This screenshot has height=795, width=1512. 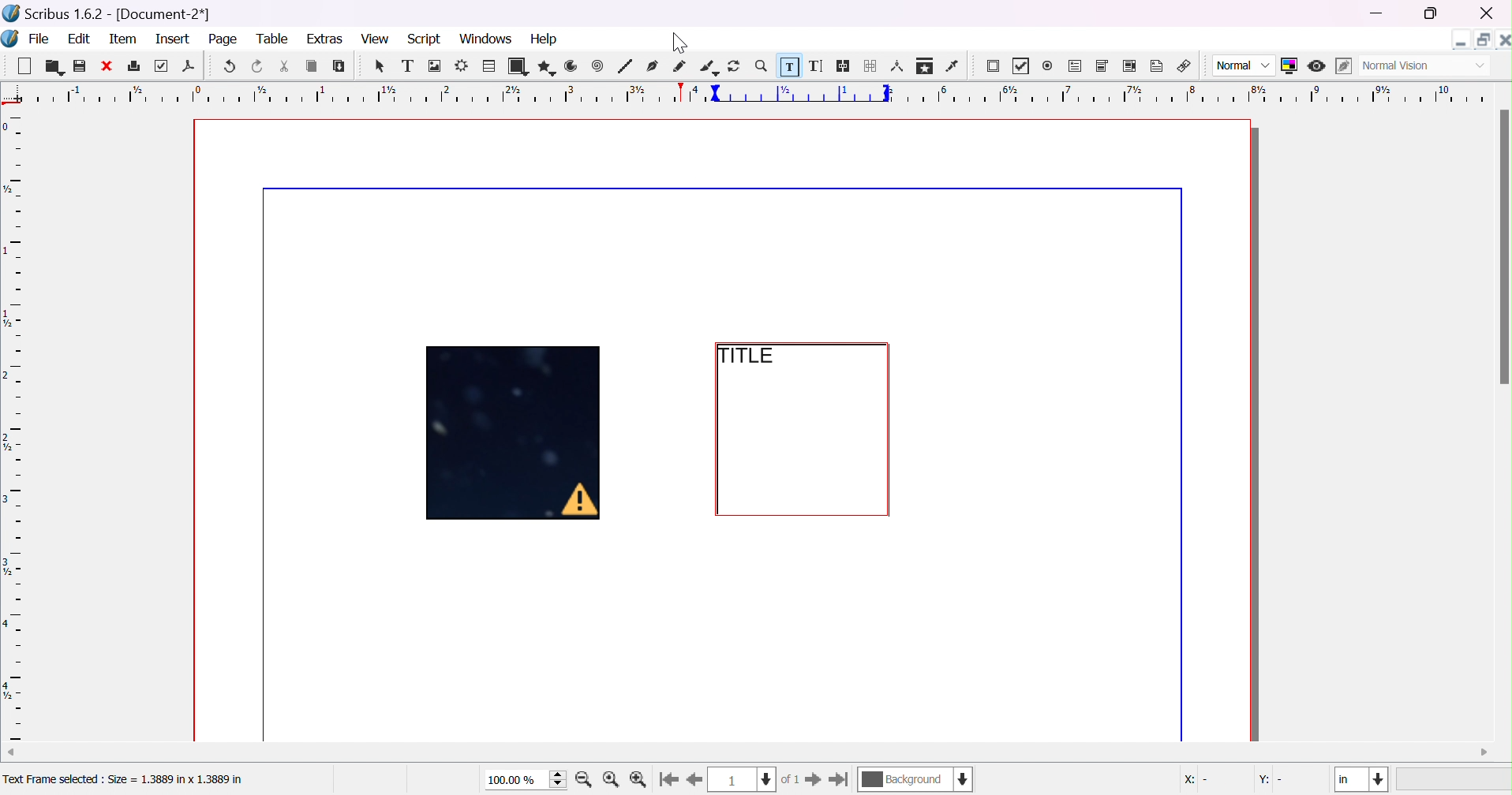 I want to click on eye dropper, so click(x=955, y=66).